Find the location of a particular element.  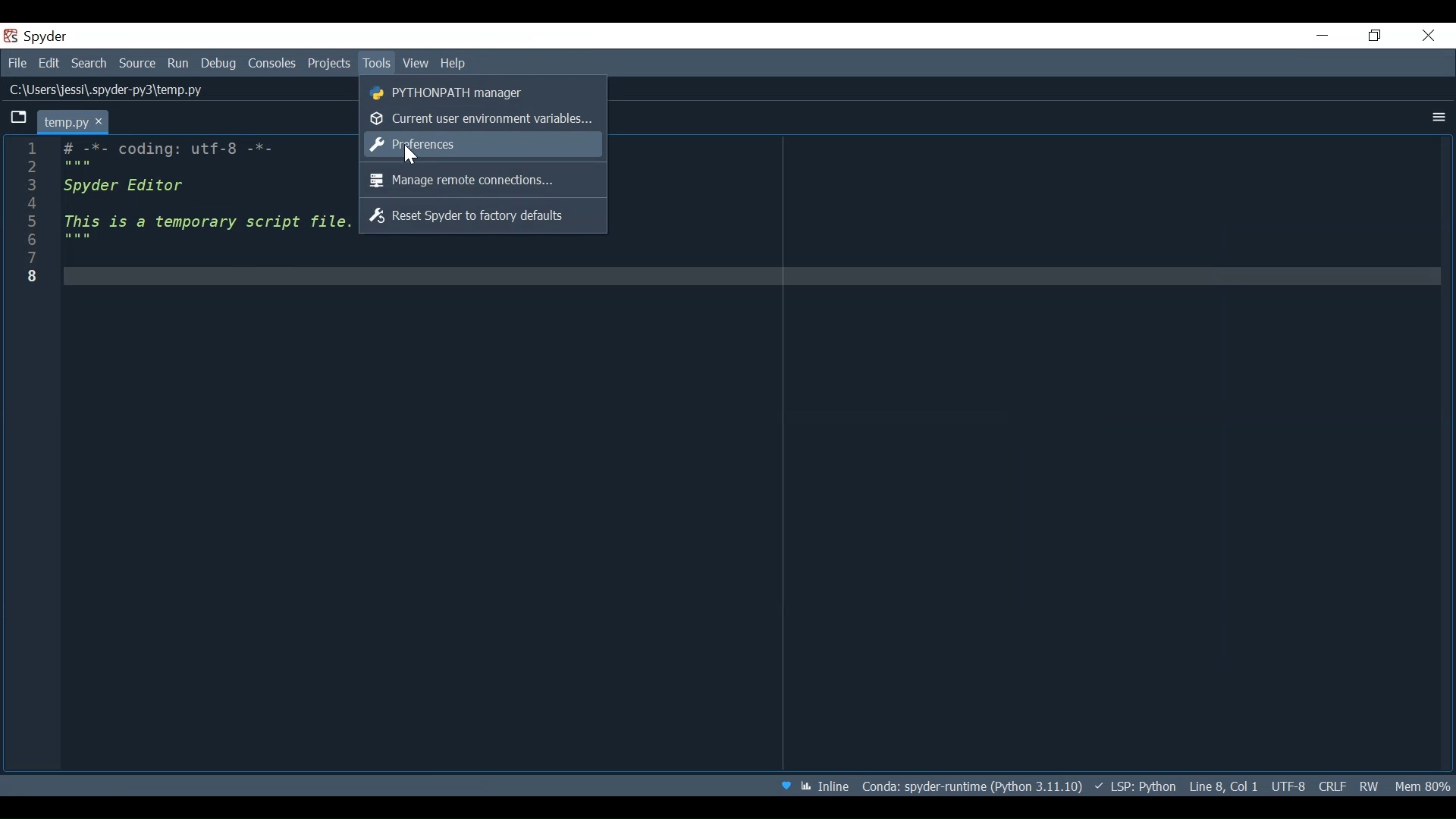

Cursor is located at coordinates (28, 210).